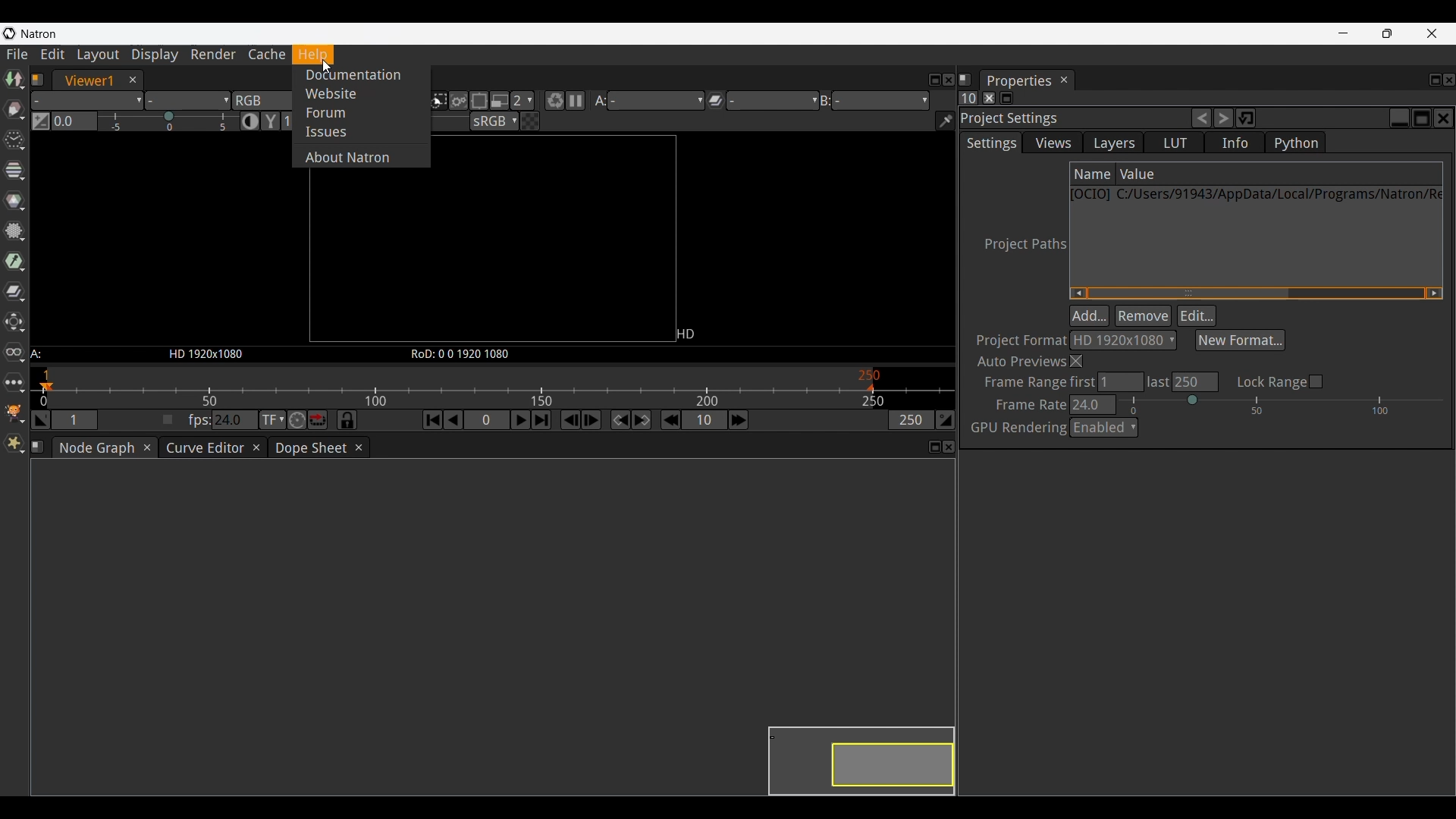 This screenshot has width=1456, height=819. Describe the element at coordinates (968, 98) in the screenshot. I see `Set the max. no. of panels that can be opened in the properties panel at the same time` at that location.